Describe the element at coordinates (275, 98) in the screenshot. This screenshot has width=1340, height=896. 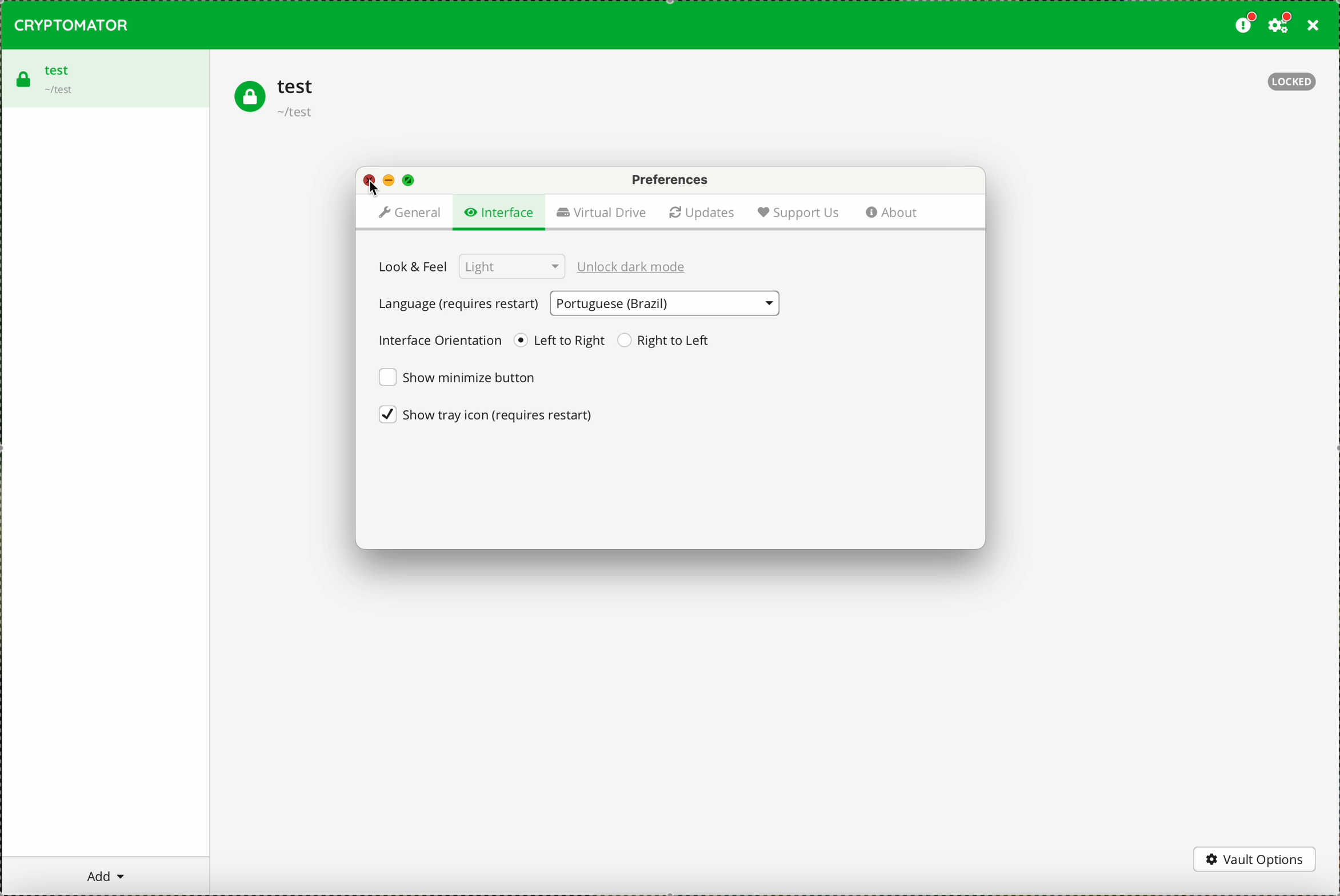
I see `test vault` at that location.